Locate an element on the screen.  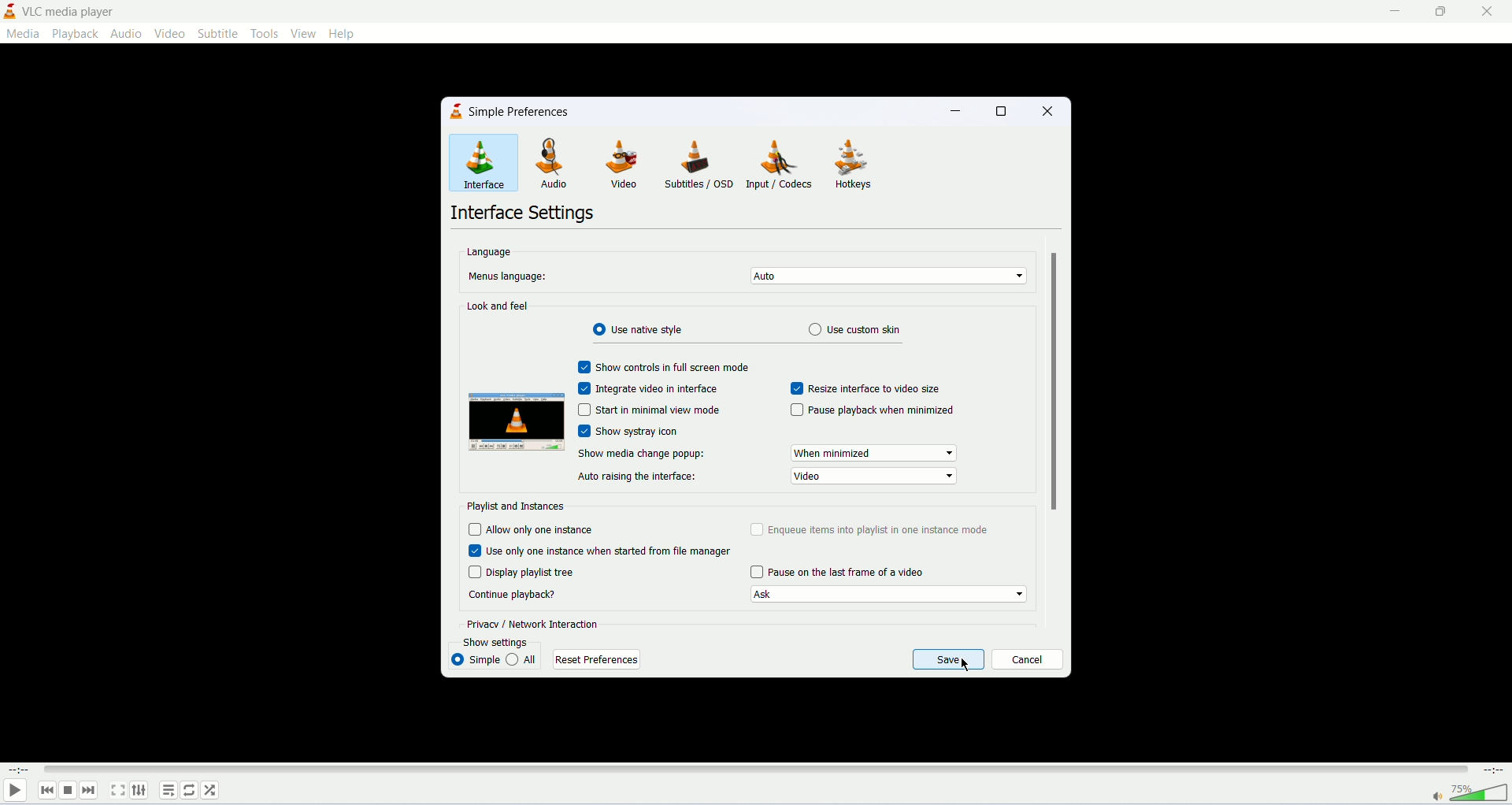
use only one instance When started from file manager is located at coordinates (601, 551).